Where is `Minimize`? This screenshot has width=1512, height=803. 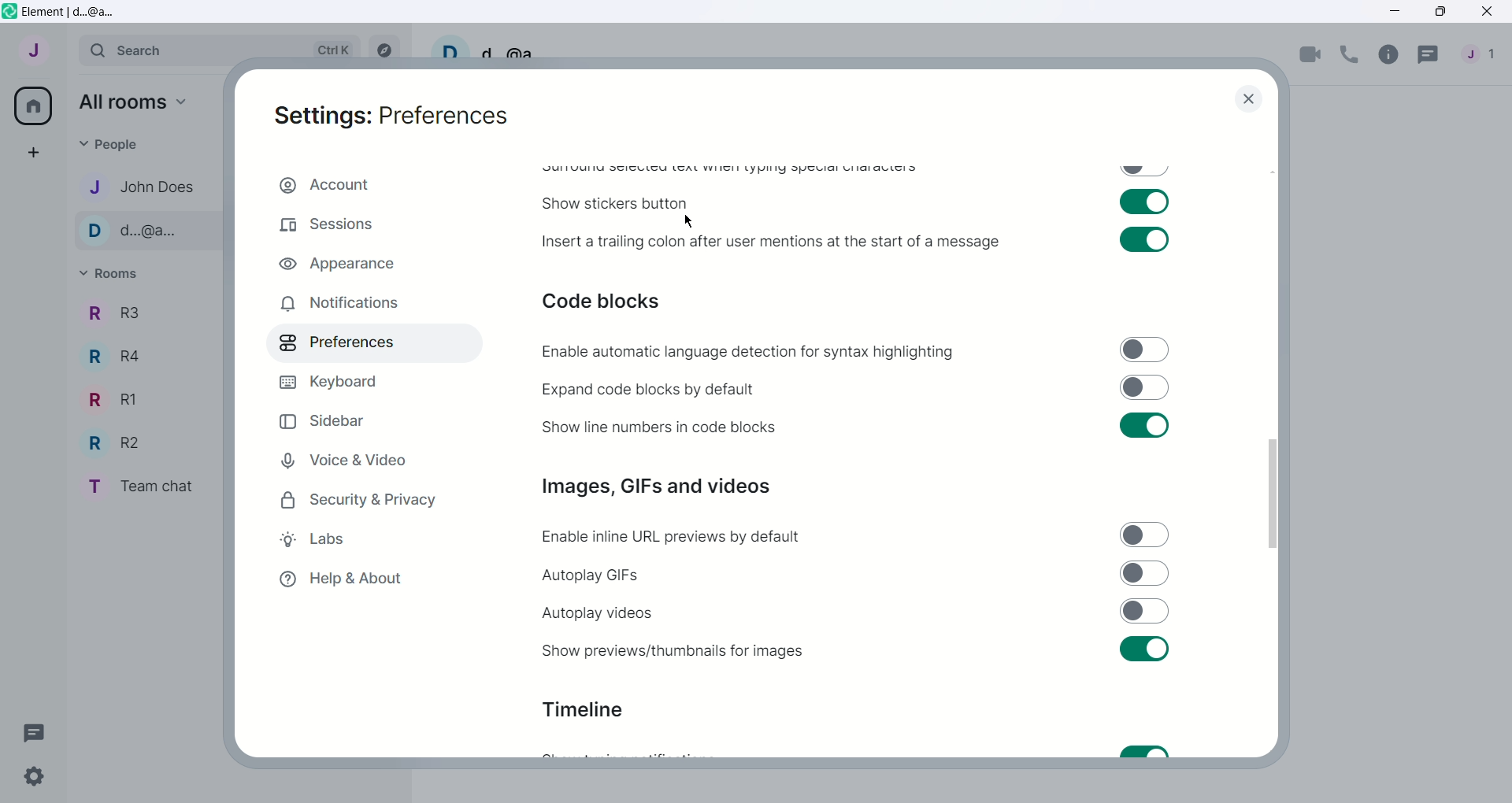 Minimize is located at coordinates (1396, 10).